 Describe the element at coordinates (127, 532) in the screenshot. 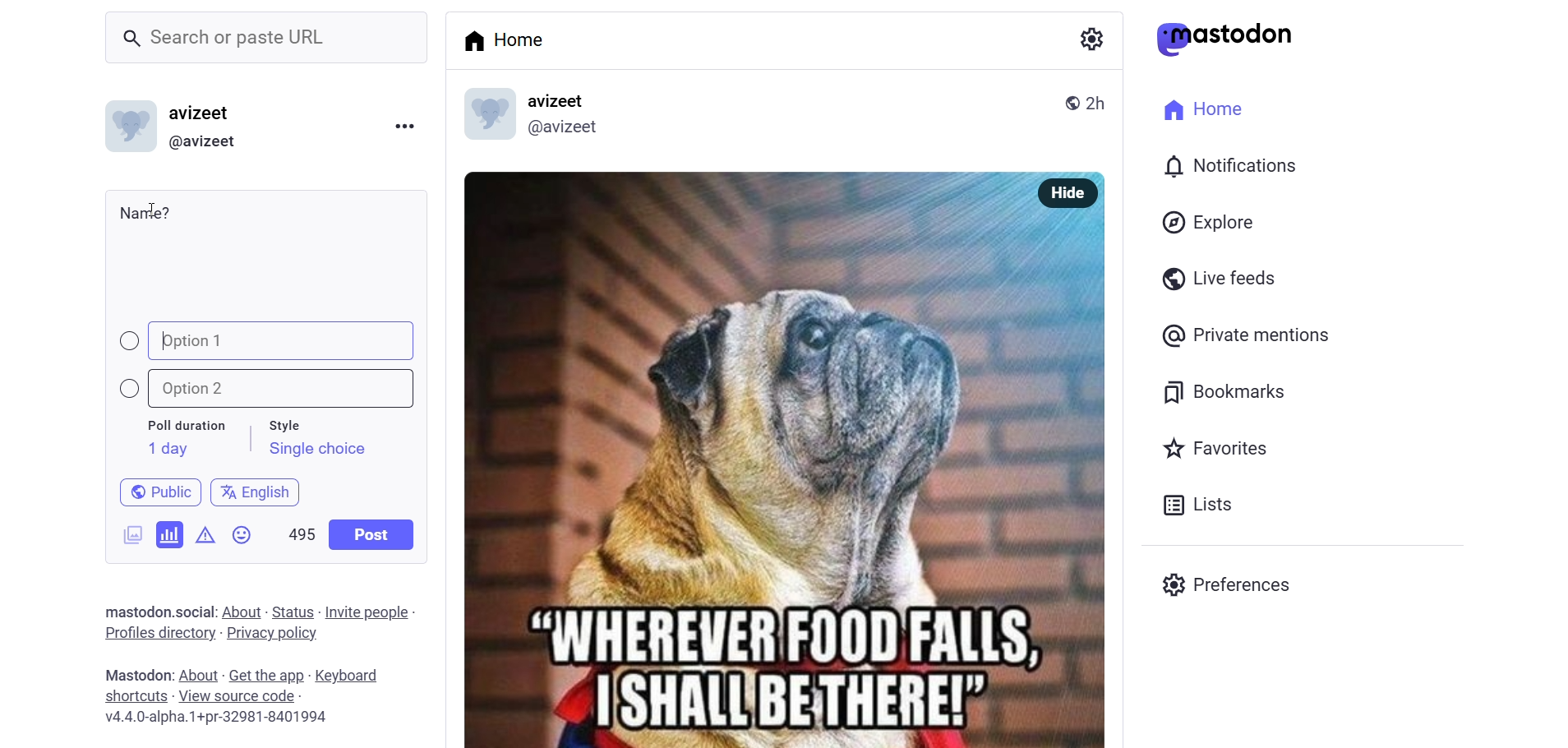

I see `image/video` at that location.